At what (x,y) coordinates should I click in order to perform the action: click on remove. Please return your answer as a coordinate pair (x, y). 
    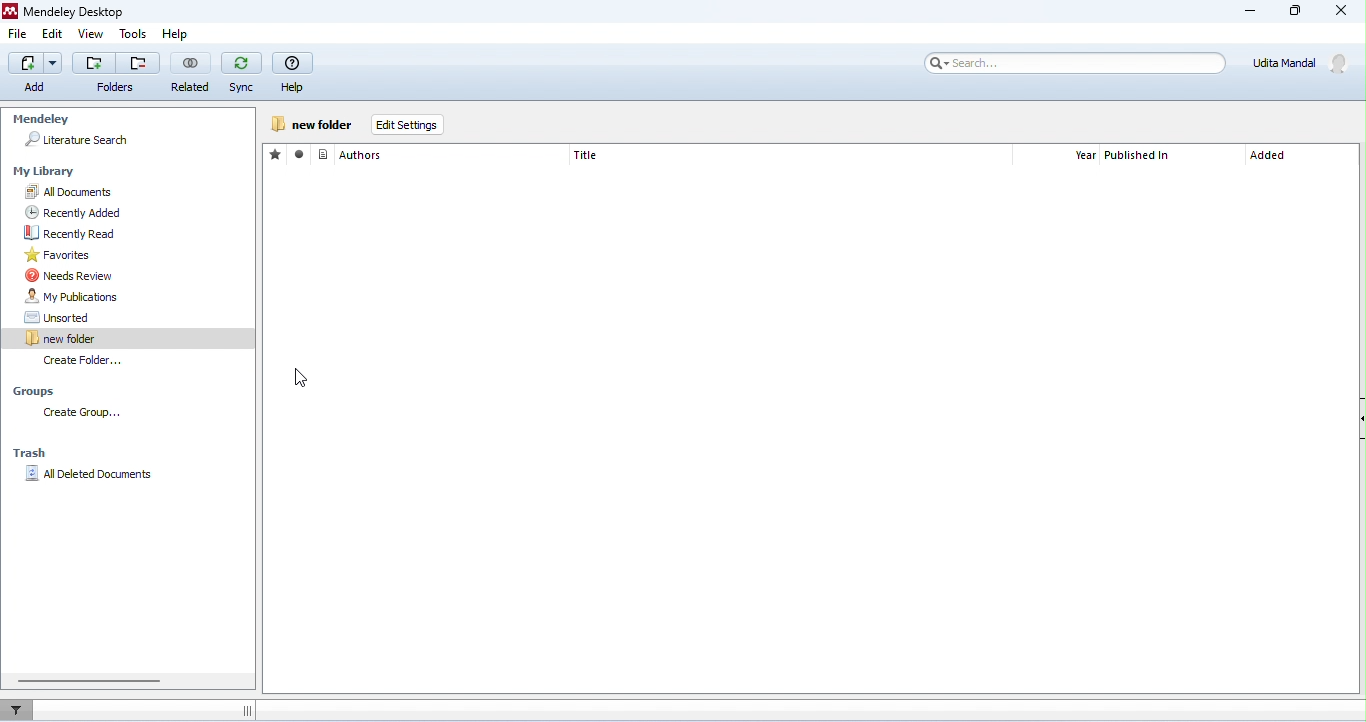
    Looking at the image, I should click on (138, 63).